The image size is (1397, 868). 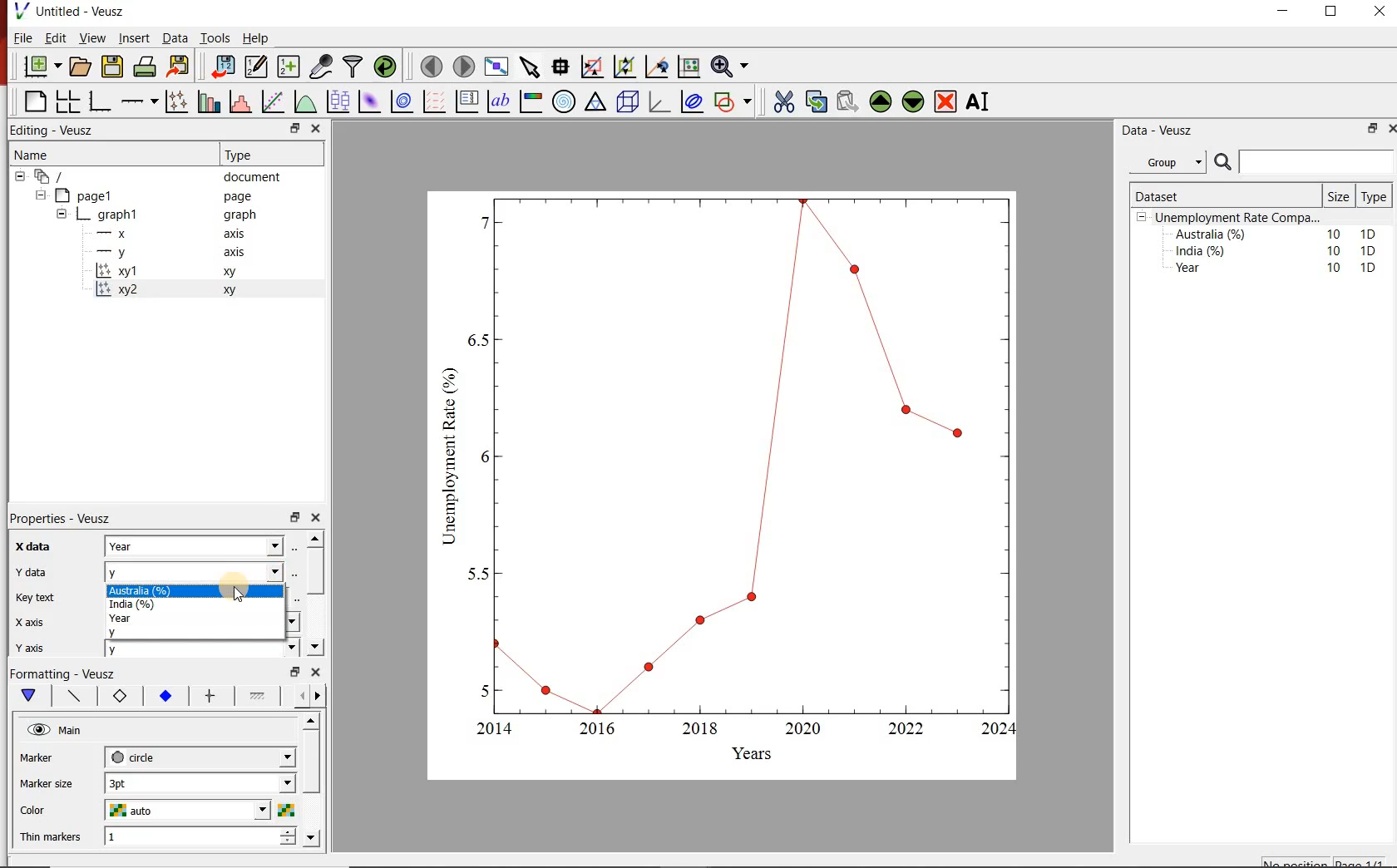 I want to click on graph chart, so click(x=723, y=486).